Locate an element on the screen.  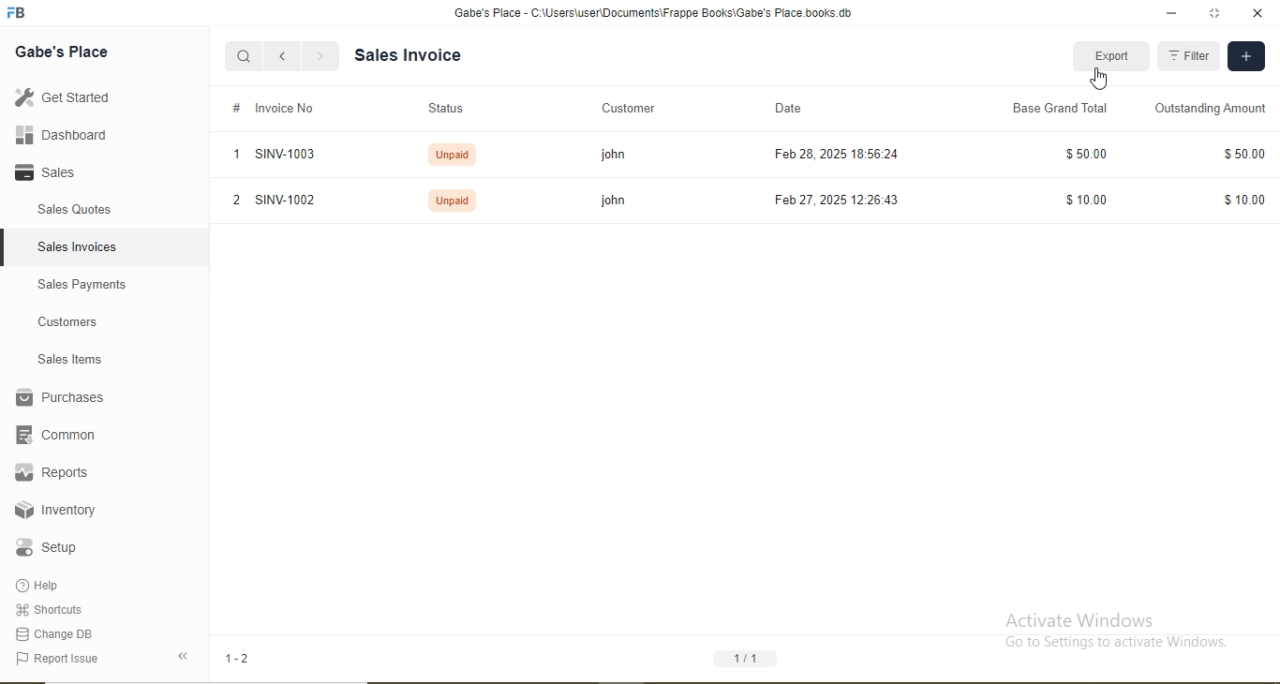
close is located at coordinates (1263, 13).